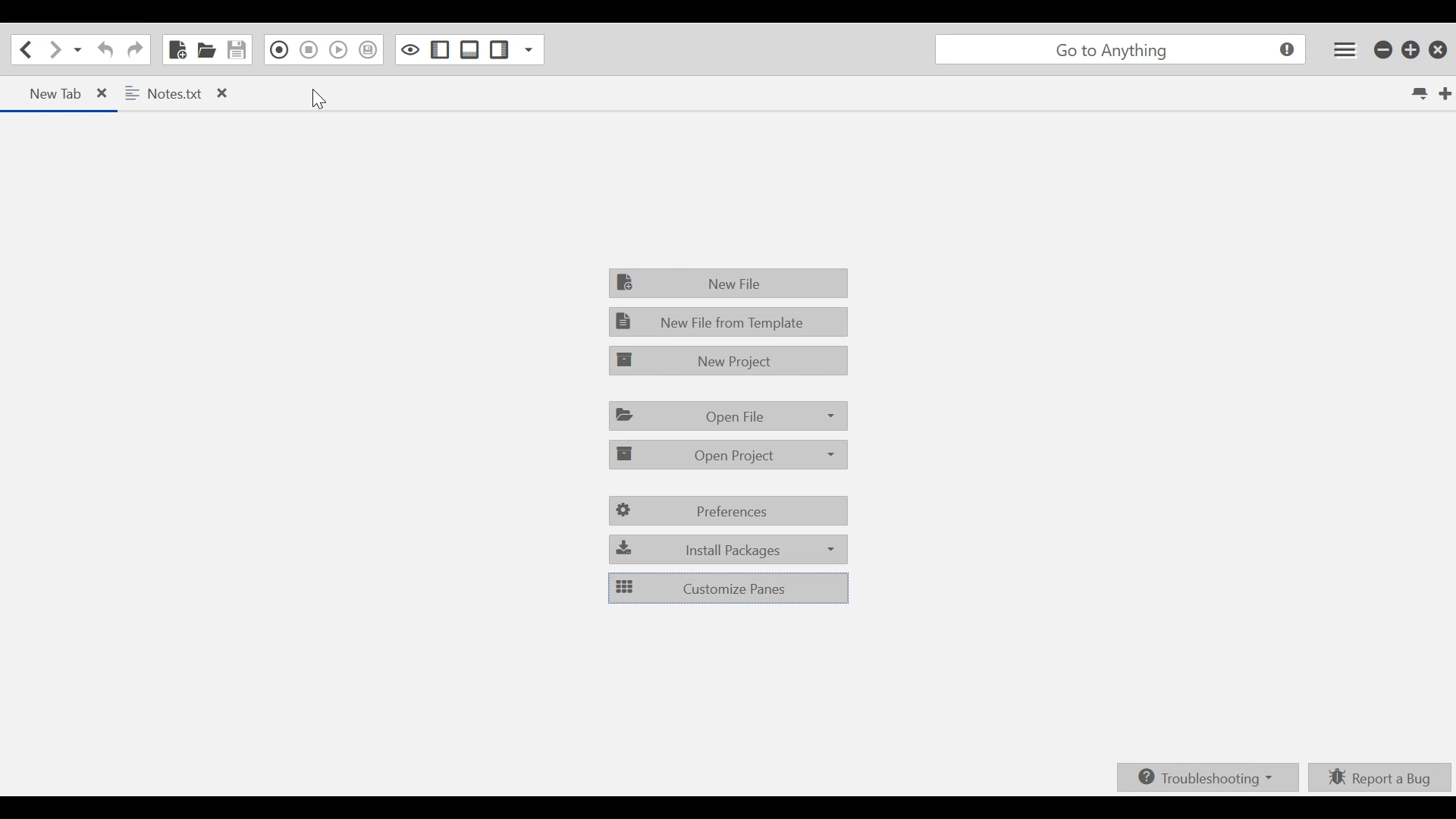  What do you see at coordinates (338, 50) in the screenshot?
I see `Play Last Macro` at bounding box center [338, 50].